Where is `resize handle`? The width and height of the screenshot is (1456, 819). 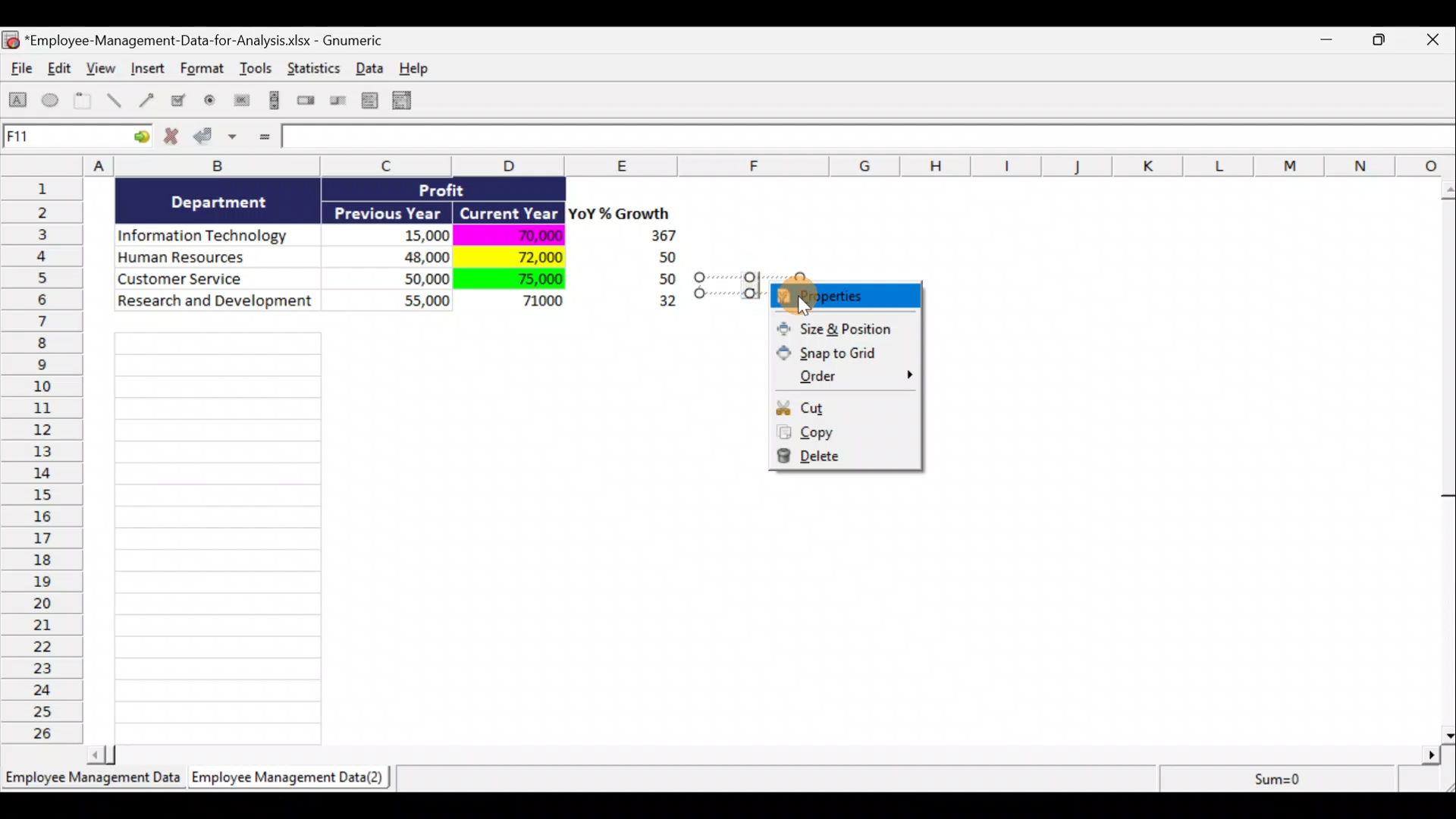 resize handle is located at coordinates (750, 284).